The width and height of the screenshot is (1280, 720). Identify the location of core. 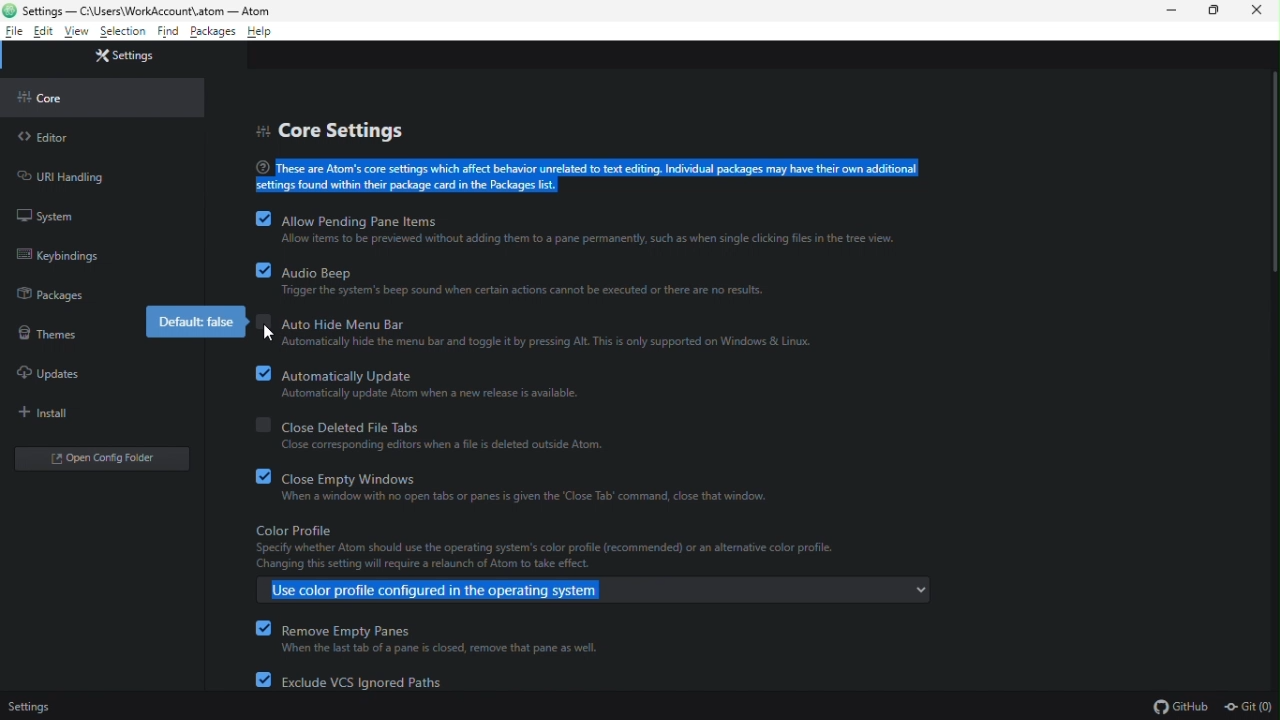
(49, 99).